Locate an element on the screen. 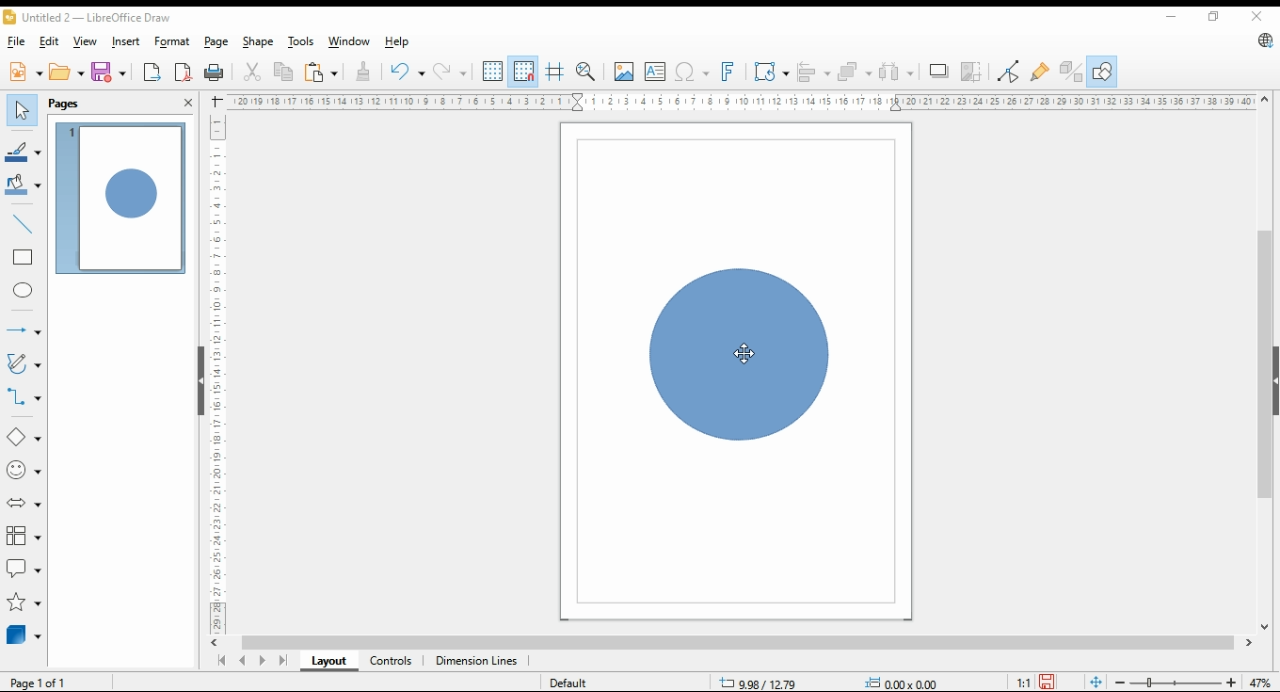 This screenshot has height=692, width=1280. toggle point edit mode is located at coordinates (1007, 70).